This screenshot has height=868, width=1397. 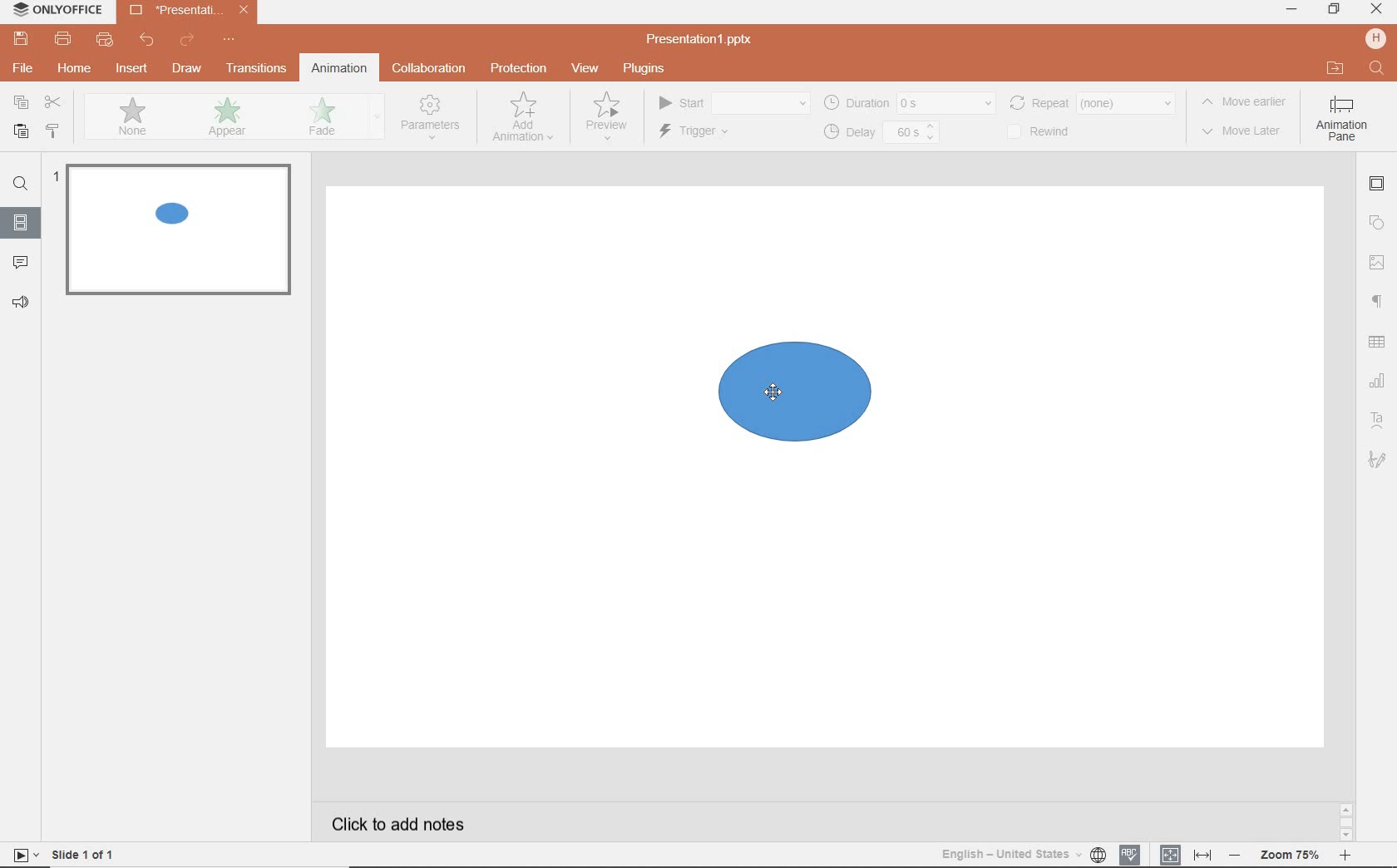 What do you see at coordinates (1379, 186) in the screenshot?
I see `slide settings` at bounding box center [1379, 186].